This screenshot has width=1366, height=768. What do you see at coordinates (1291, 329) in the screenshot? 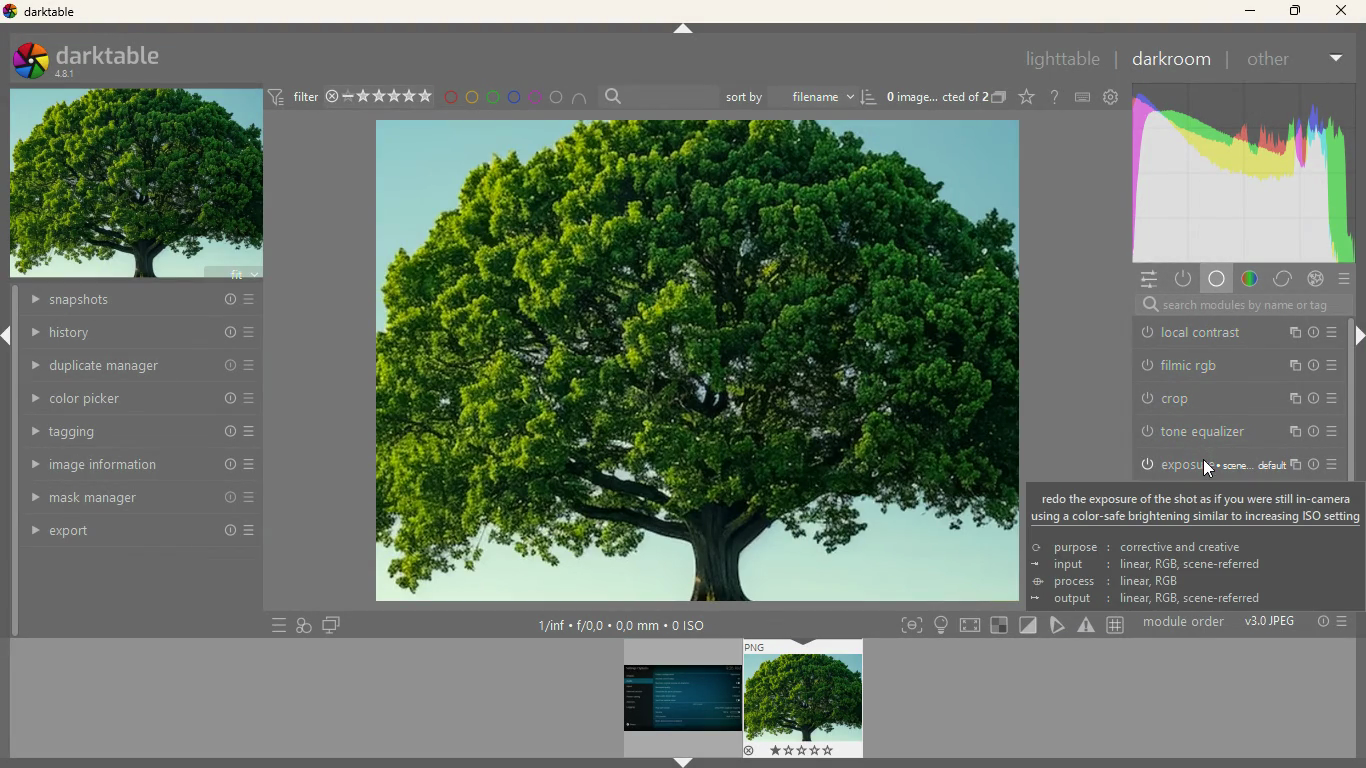
I see `info` at bounding box center [1291, 329].